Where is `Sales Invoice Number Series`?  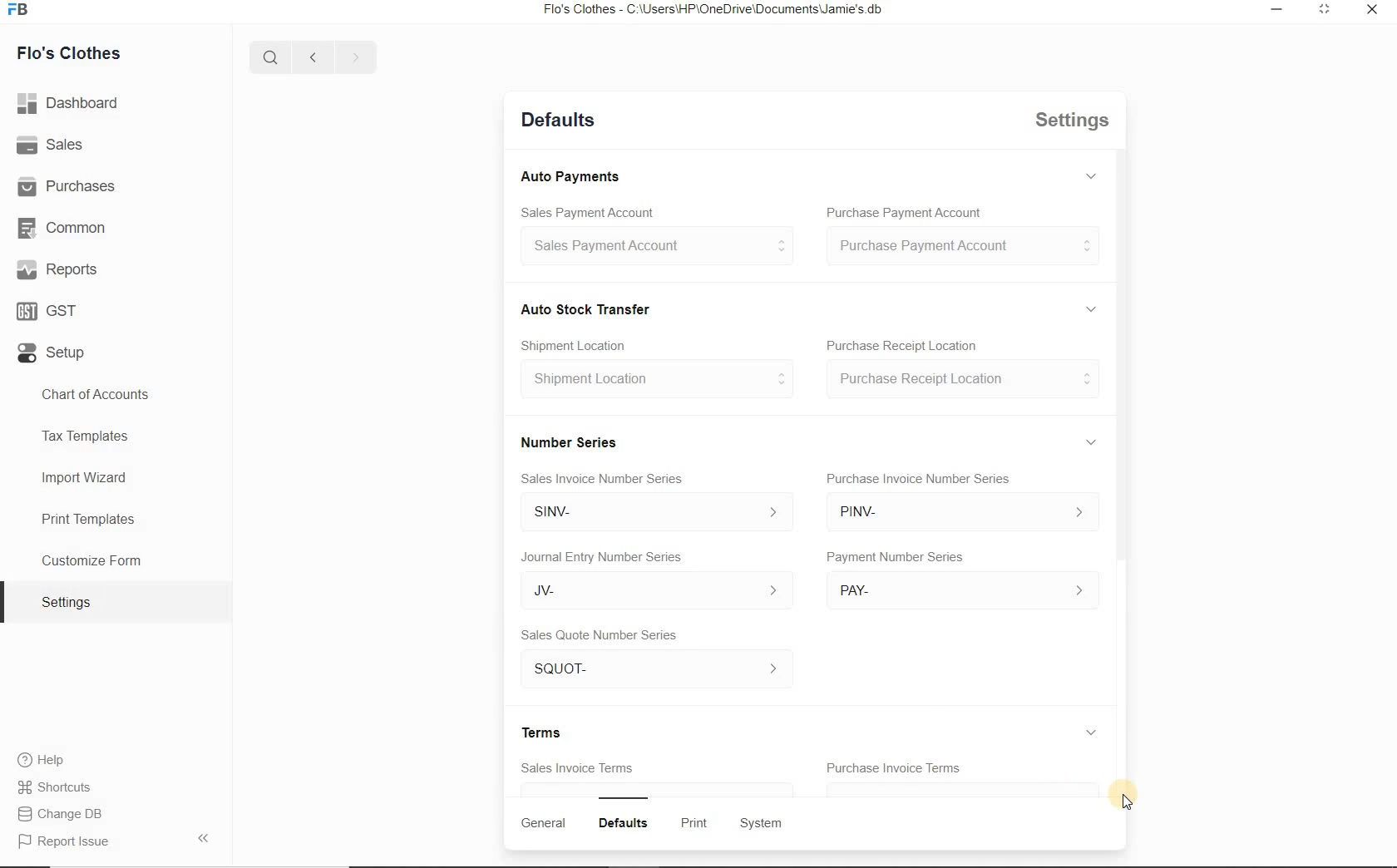 Sales Invoice Number Series is located at coordinates (603, 476).